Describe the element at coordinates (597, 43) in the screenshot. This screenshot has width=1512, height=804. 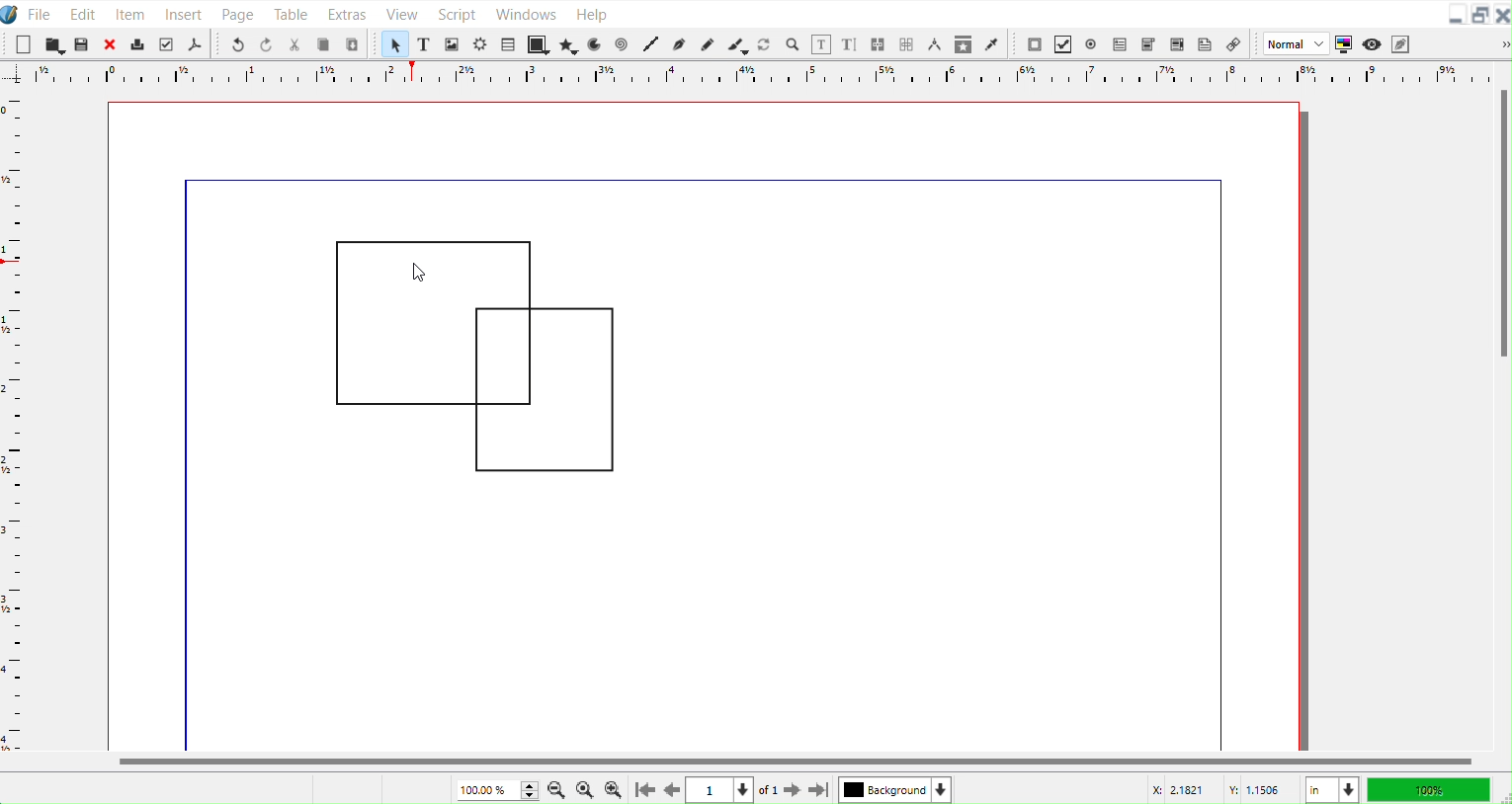
I see `Arc` at that location.